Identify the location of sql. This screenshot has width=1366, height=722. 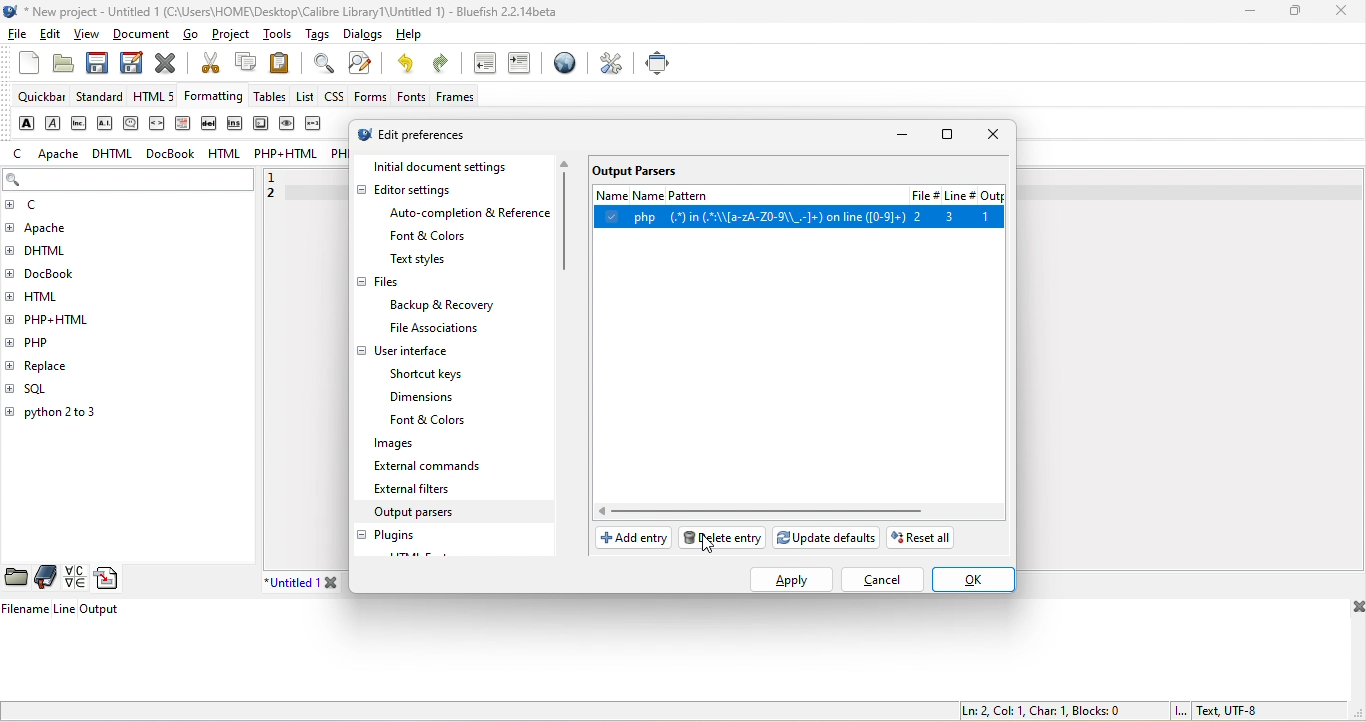
(47, 389).